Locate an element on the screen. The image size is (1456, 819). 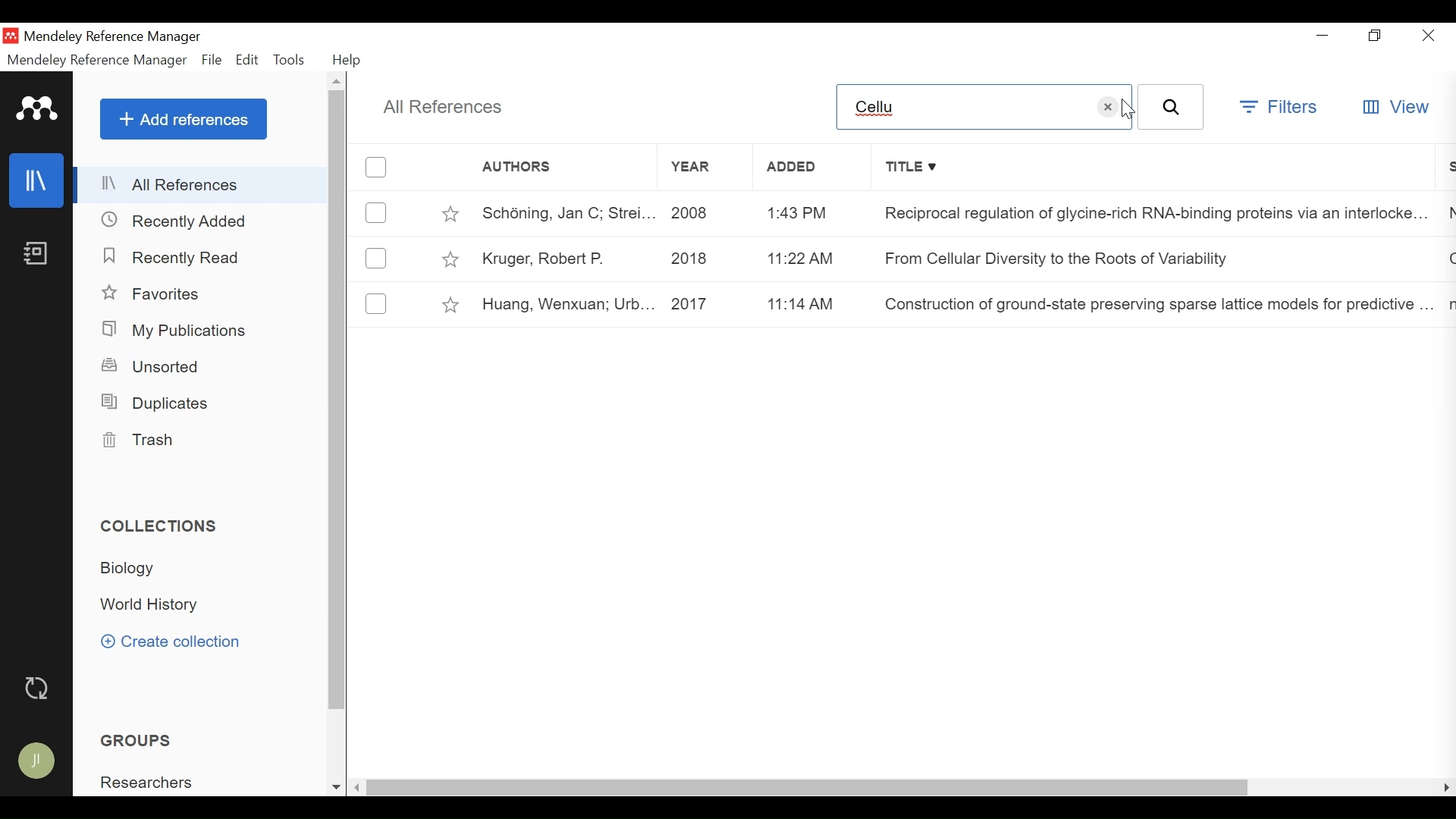
user is located at coordinates (37, 762).